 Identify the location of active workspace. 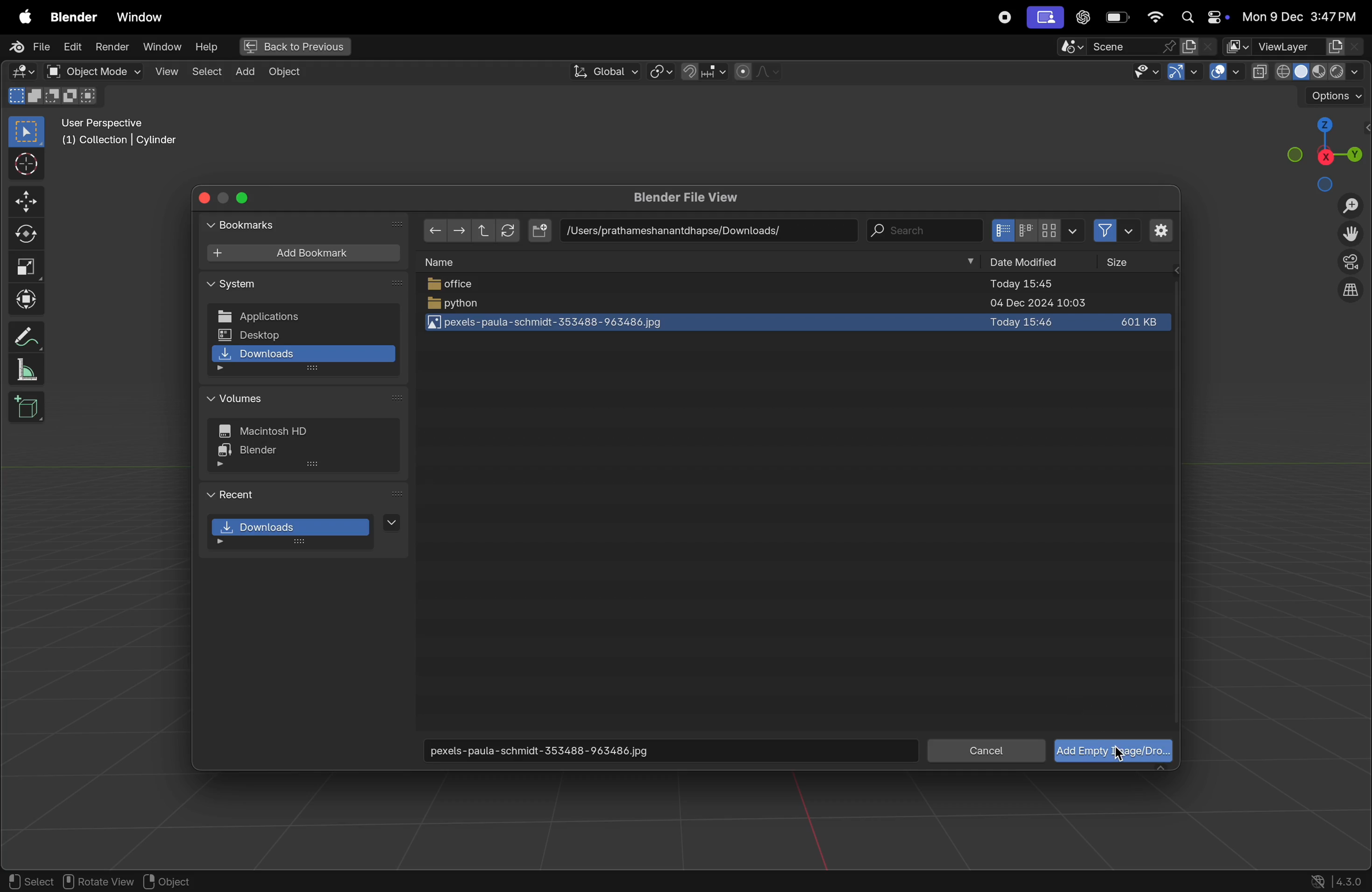
(1200, 46).